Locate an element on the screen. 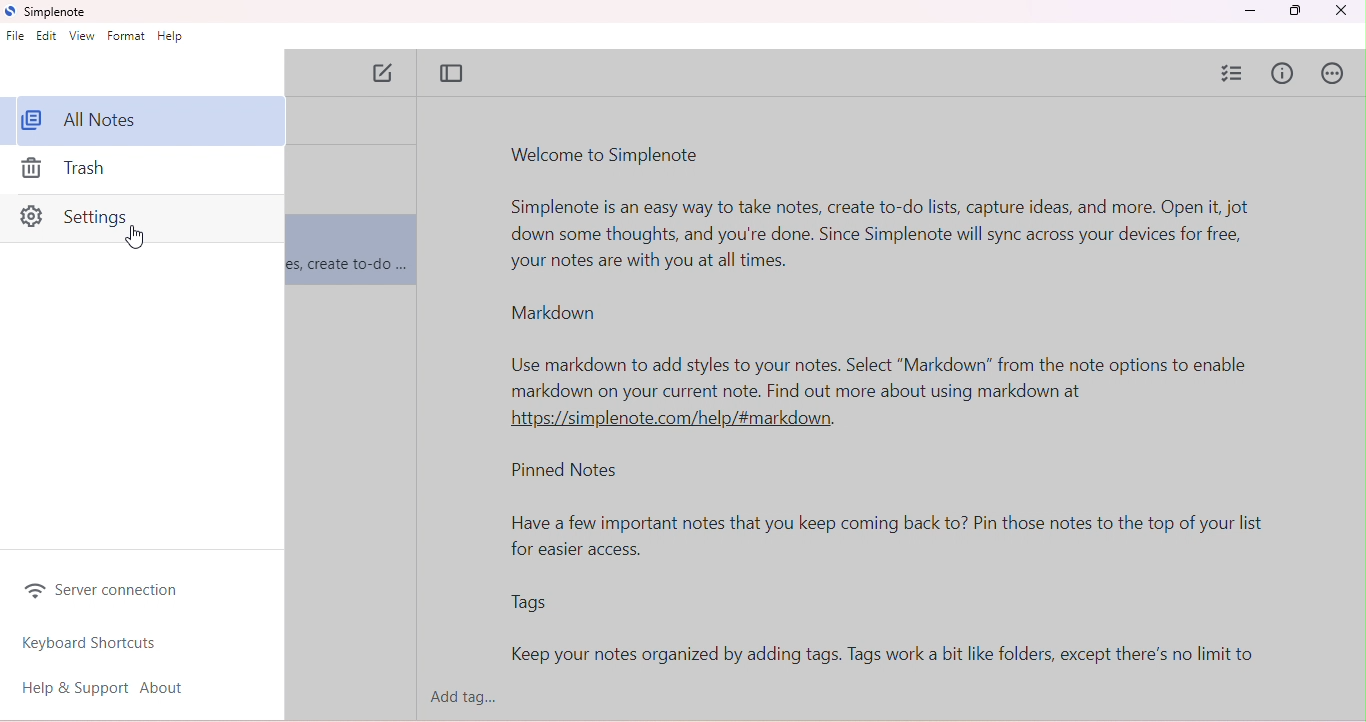  format is located at coordinates (126, 36).